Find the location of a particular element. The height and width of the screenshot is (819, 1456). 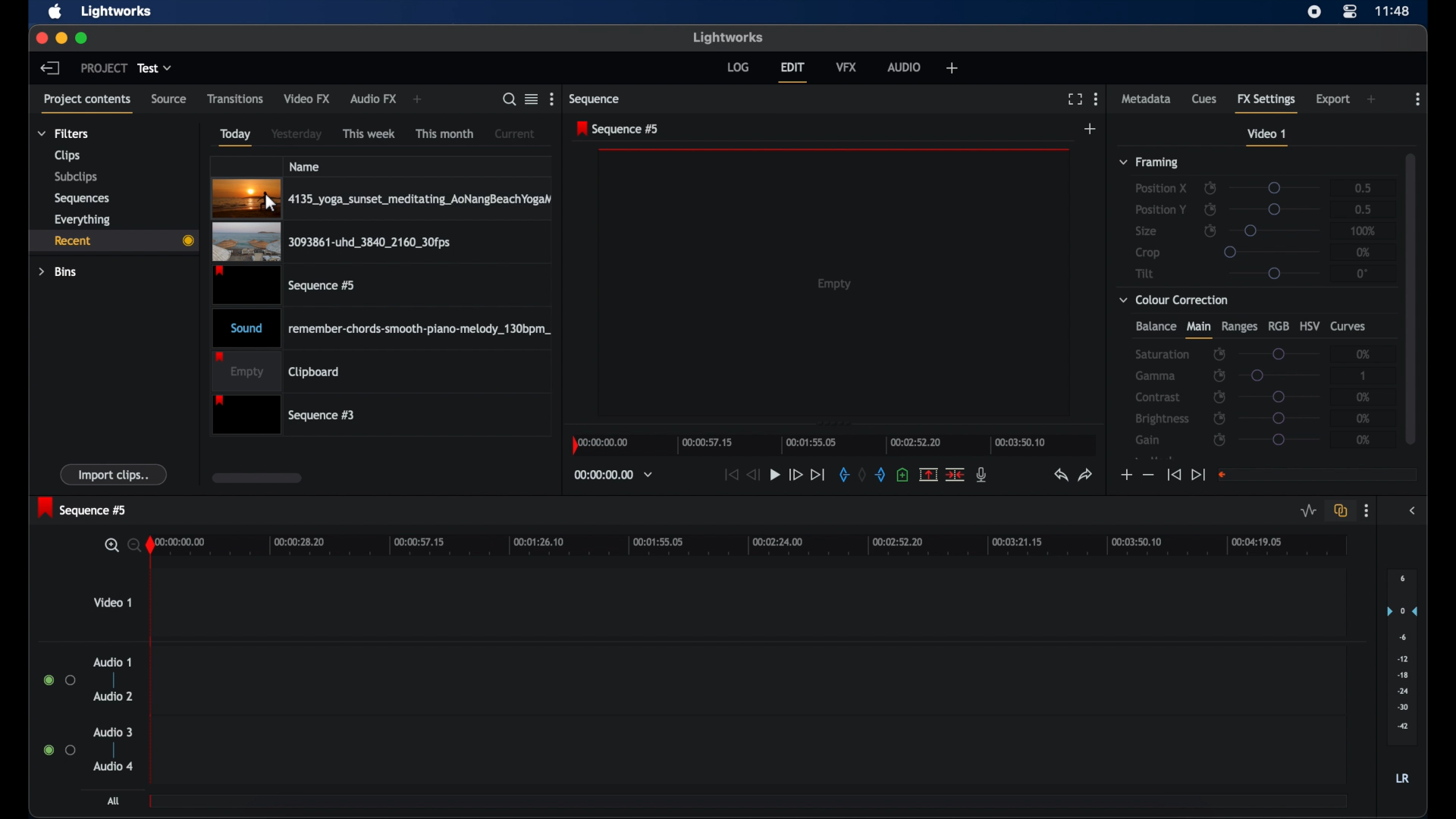

lightworks is located at coordinates (728, 37).